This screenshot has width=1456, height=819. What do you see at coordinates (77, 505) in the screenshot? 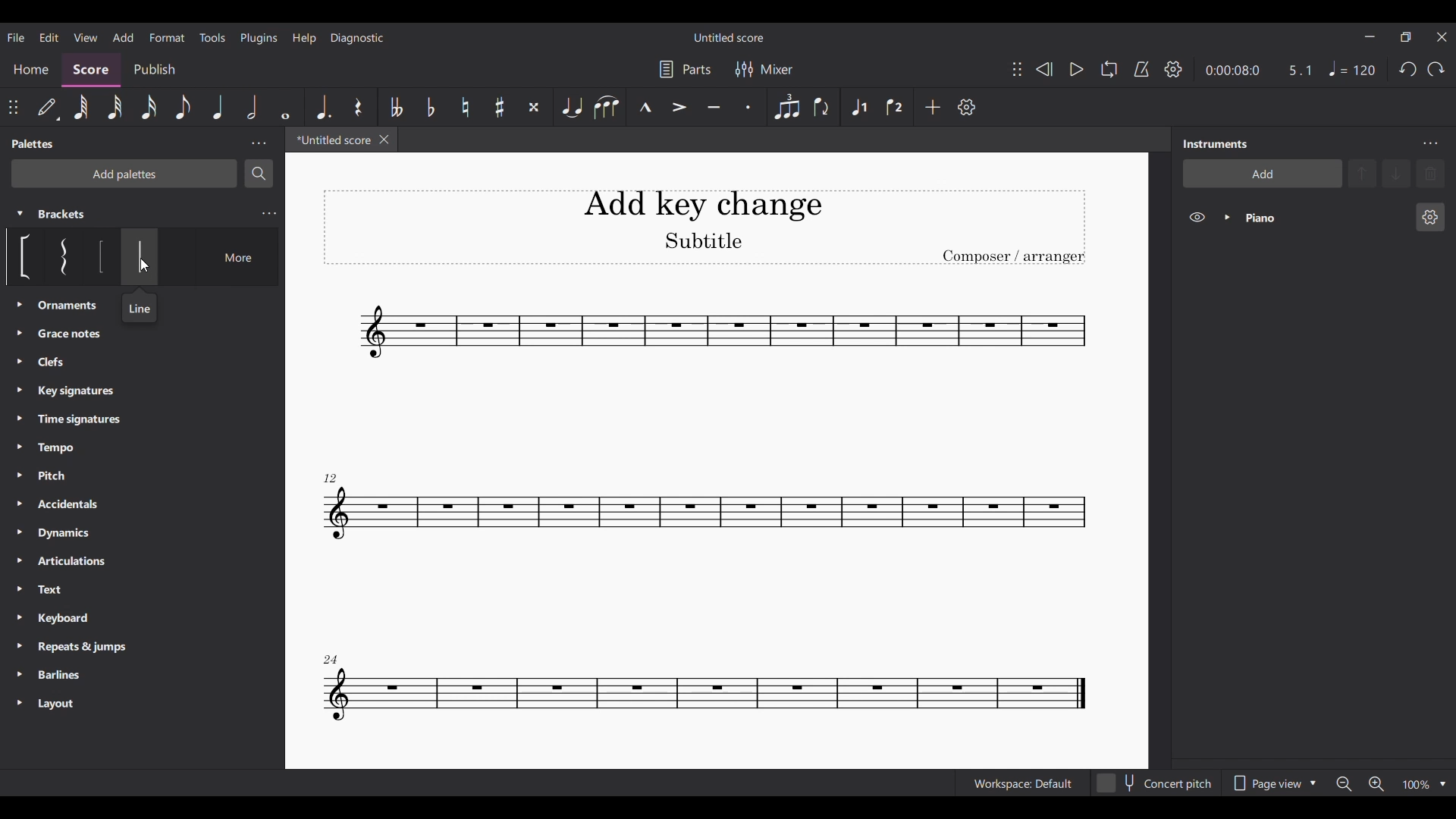
I see `Other palette options` at bounding box center [77, 505].